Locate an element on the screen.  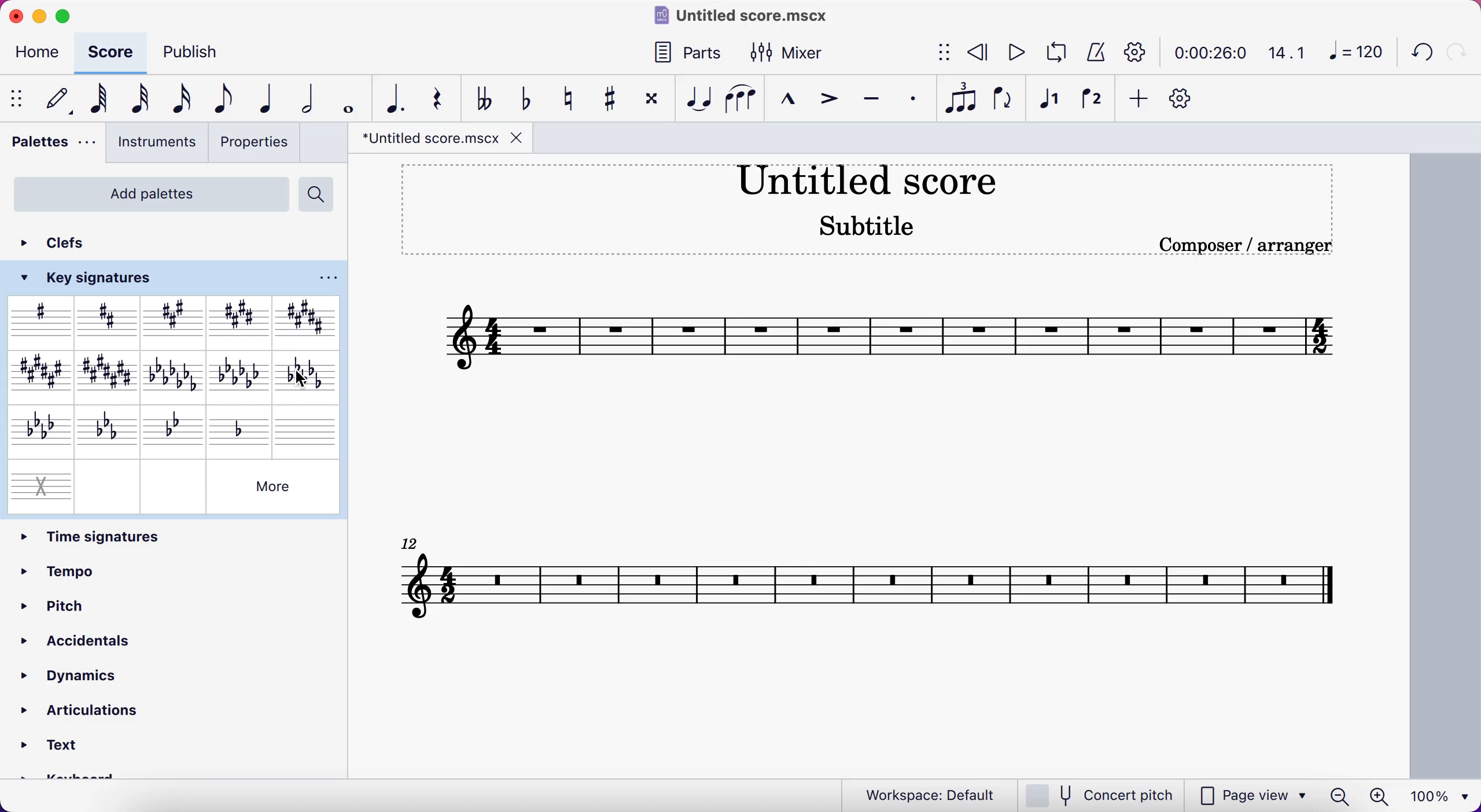
zoom out is located at coordinates (1339, 796).